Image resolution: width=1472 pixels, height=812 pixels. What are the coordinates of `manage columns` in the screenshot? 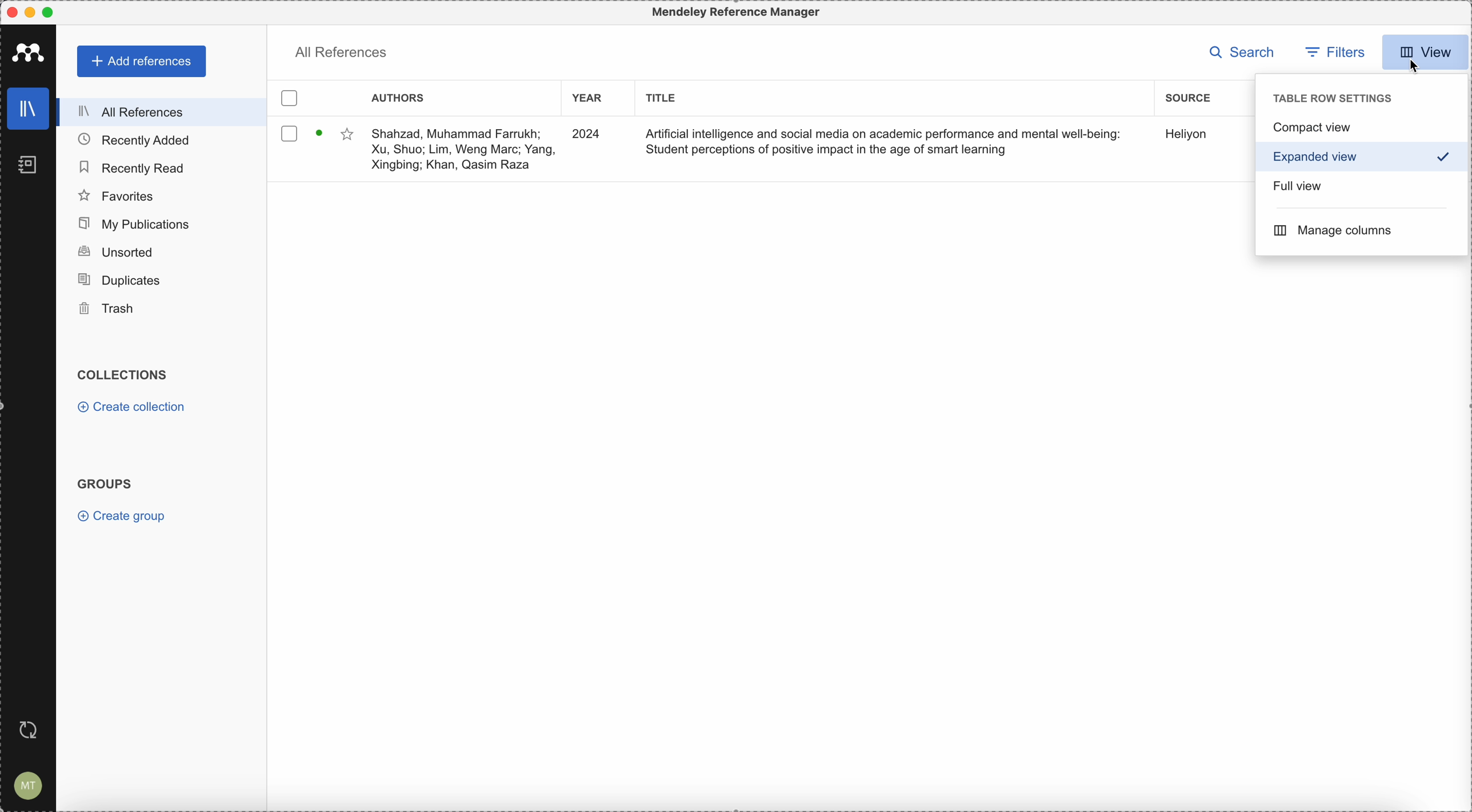 It's located at (1332, 230).